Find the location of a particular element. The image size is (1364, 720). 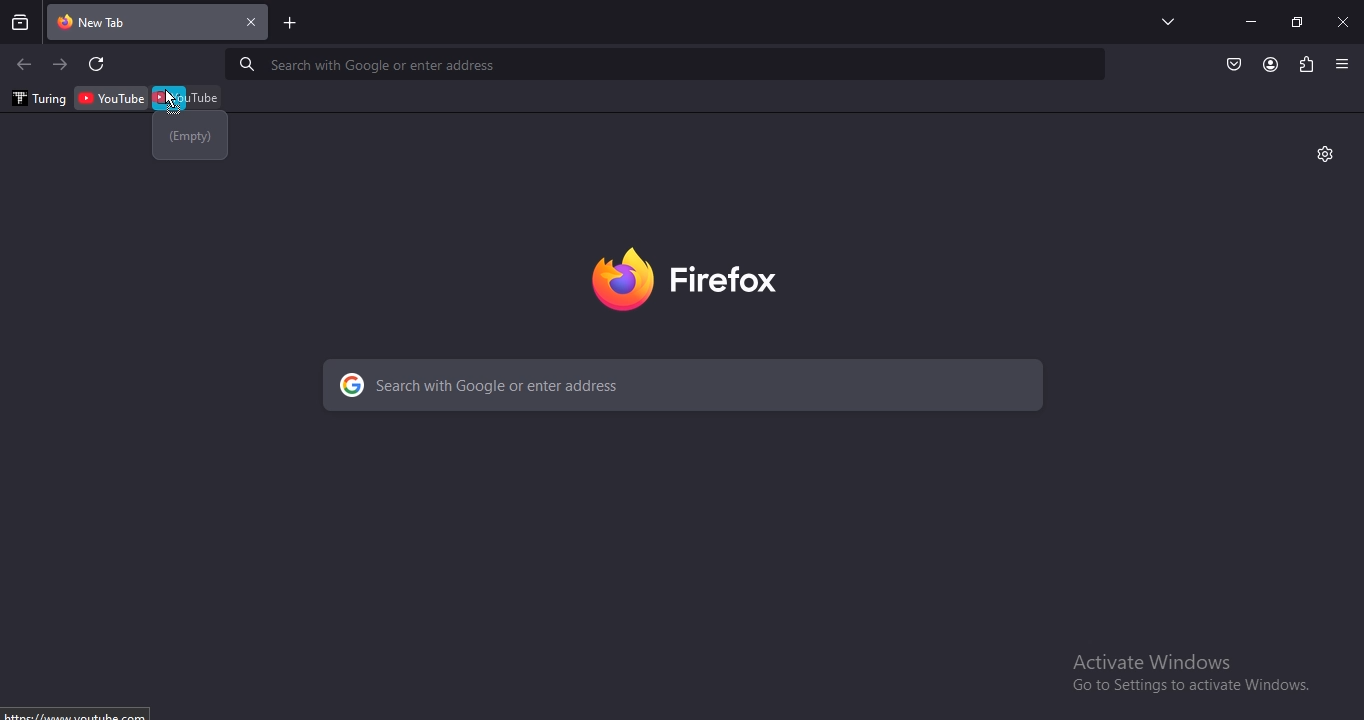

youtube is located at coordinates (189, 96).